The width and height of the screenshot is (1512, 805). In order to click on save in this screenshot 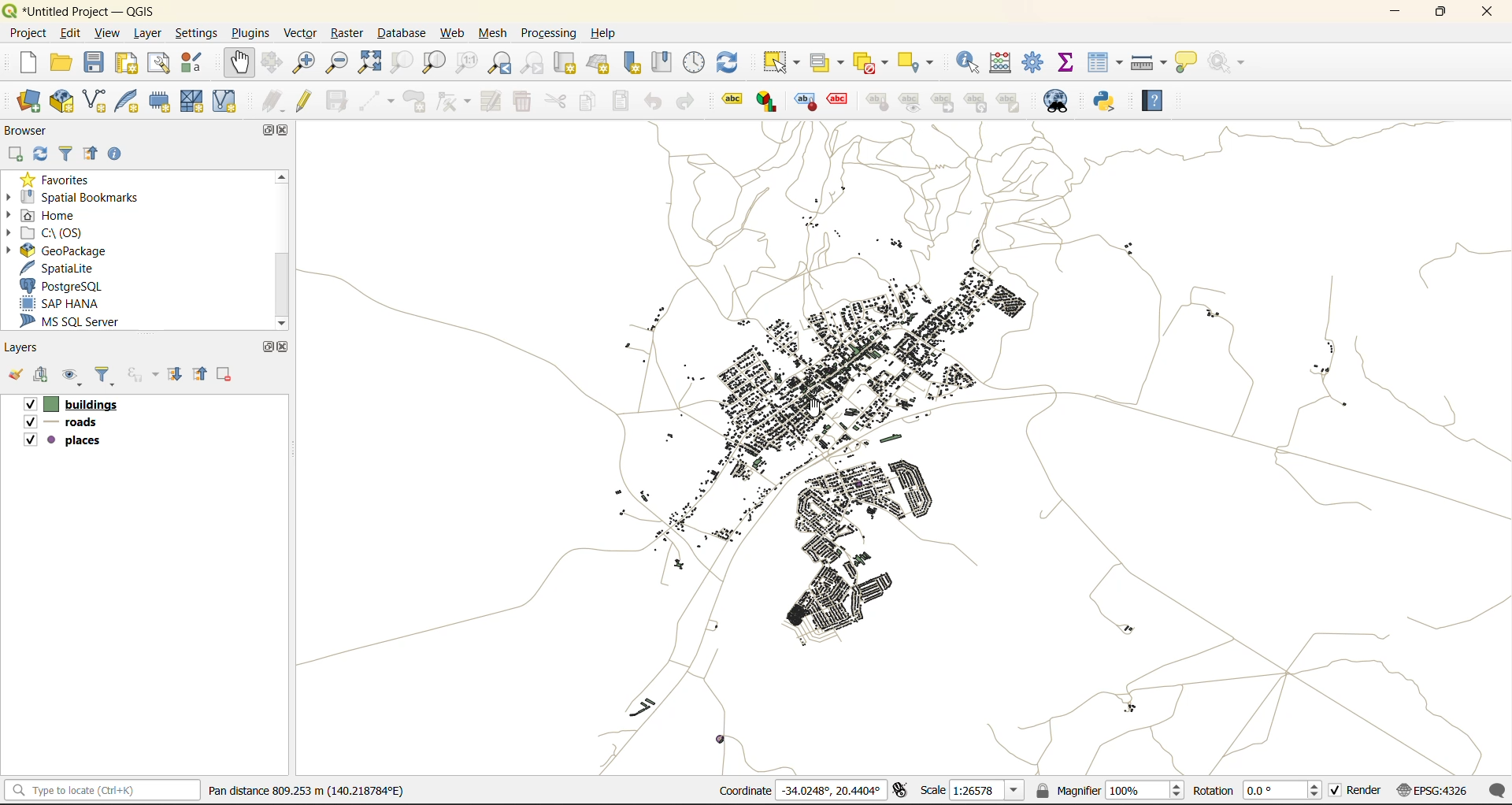, I will do `click(95, 62)`.